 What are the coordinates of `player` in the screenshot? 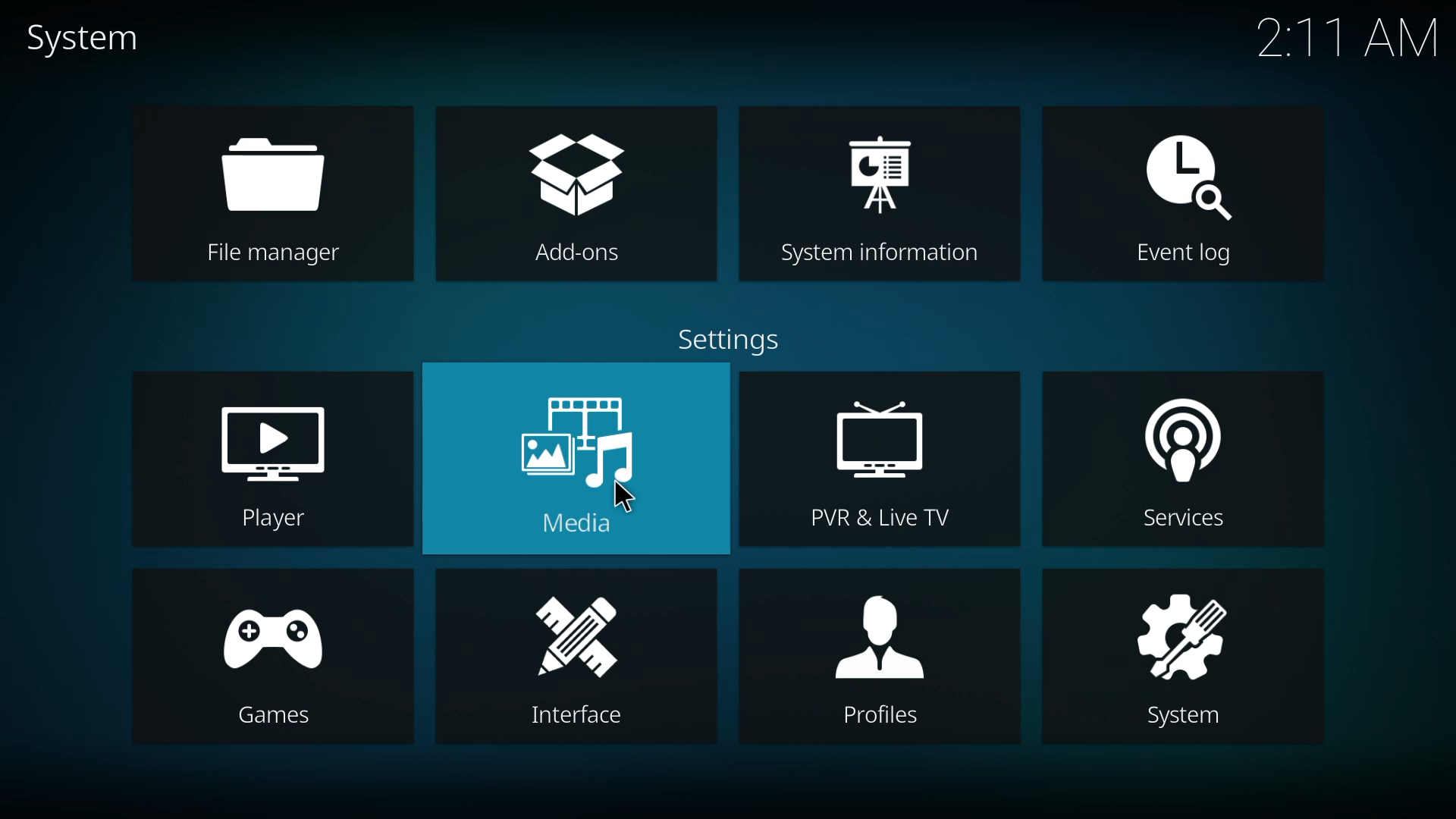 It's located at (273, 463).